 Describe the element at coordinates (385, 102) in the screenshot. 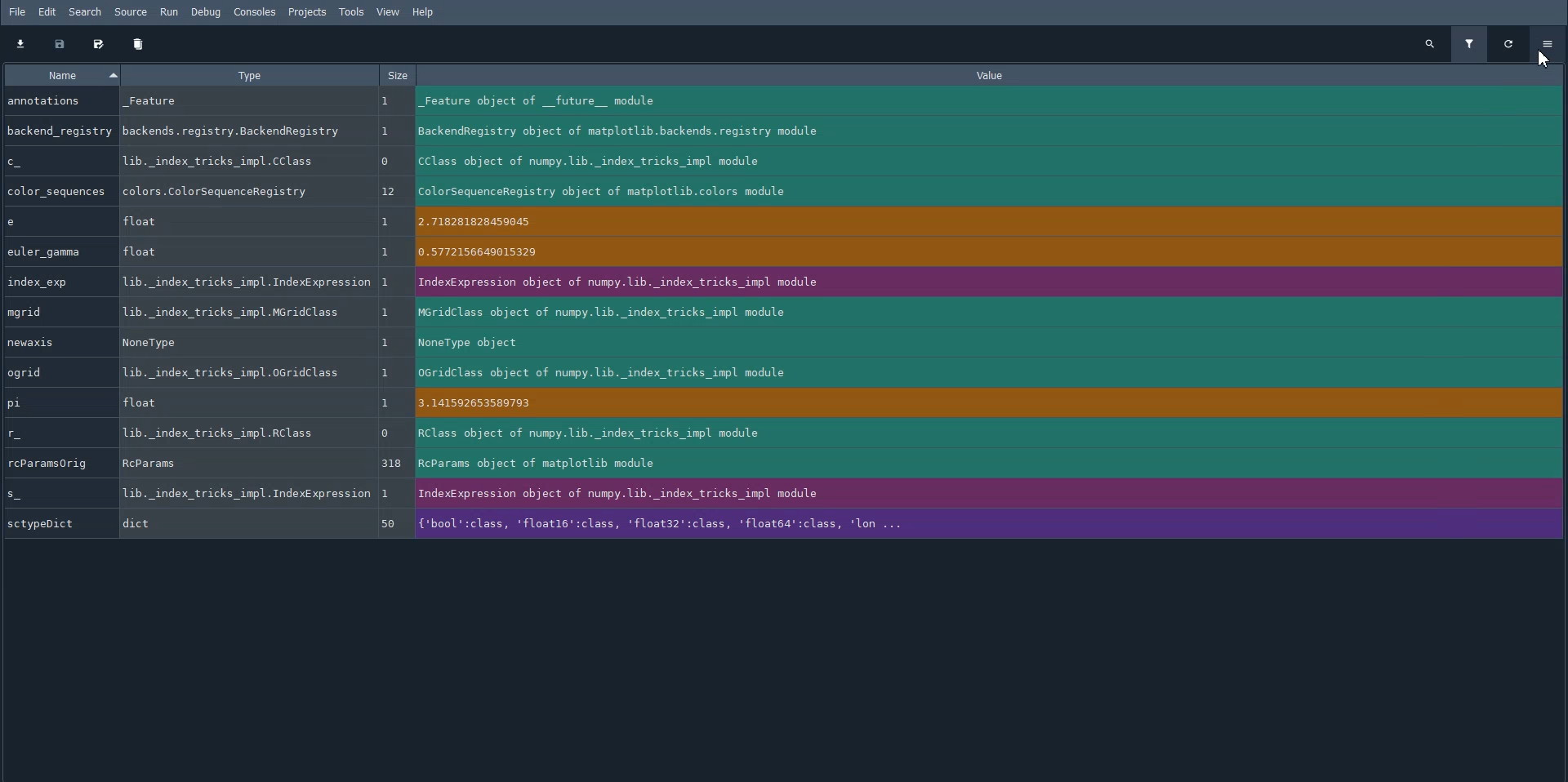

I see `1` at that location.